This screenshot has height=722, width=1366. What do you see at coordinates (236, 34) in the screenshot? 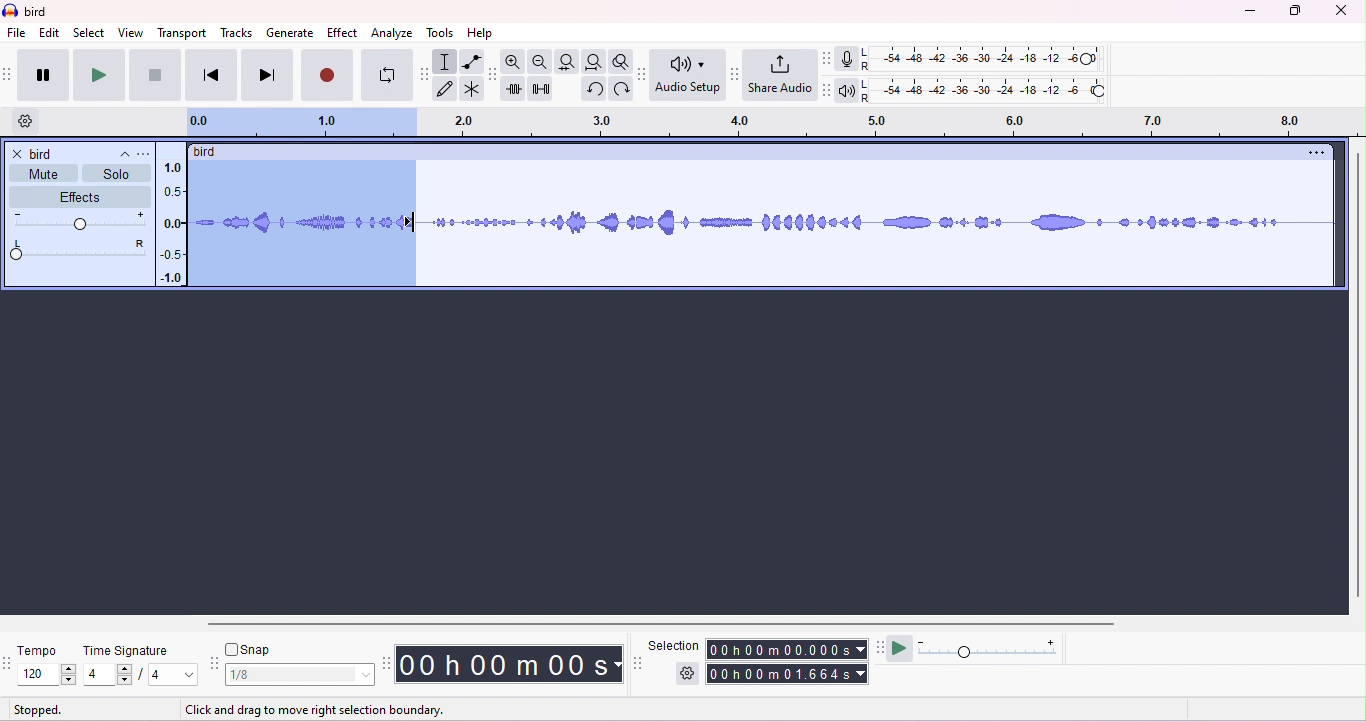
I see `tracks` at bounding box center [236, 34].